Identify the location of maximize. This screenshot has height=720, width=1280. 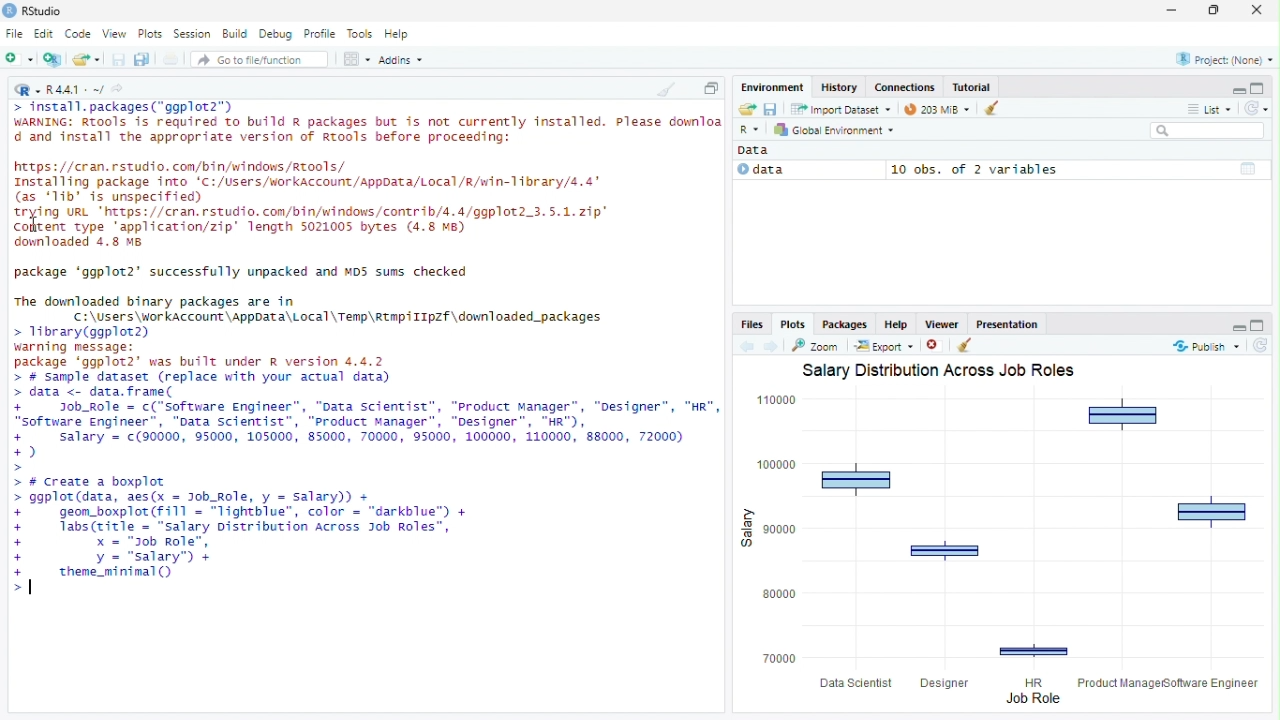
(1261, 324).